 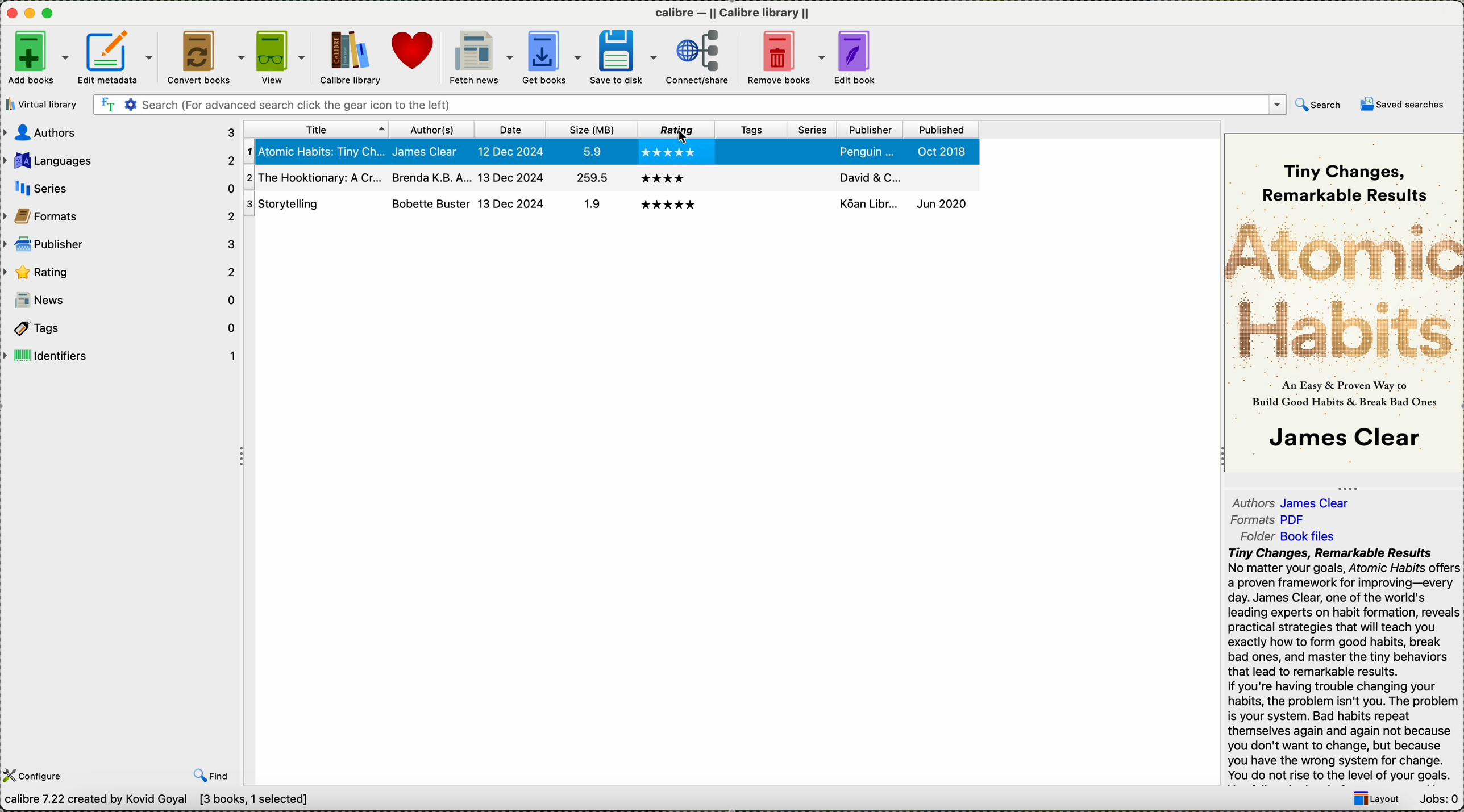 I want to click on 13 dec 2024, so click(x=510, y=203).